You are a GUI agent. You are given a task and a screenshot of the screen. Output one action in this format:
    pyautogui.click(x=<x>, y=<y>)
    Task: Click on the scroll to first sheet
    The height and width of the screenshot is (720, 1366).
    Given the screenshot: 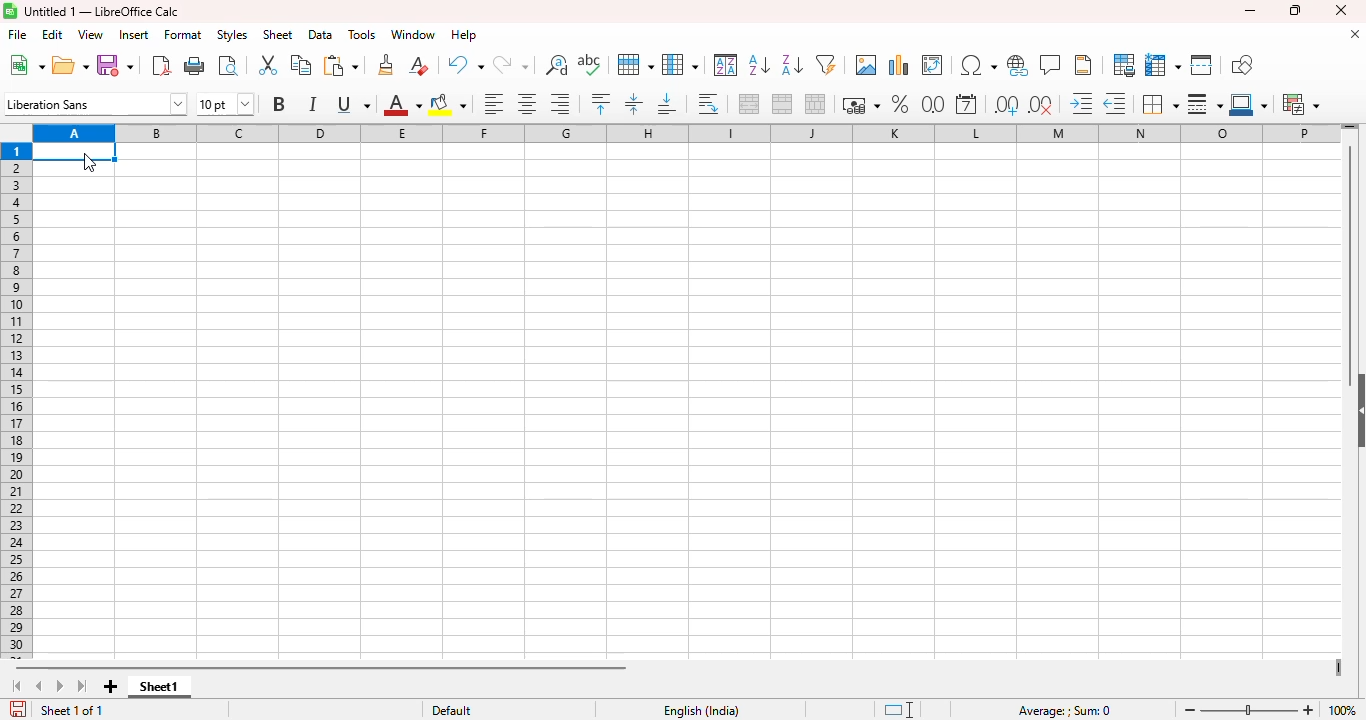 What is the action you would take?
    pyautogui.click(x=18, y=686)
    